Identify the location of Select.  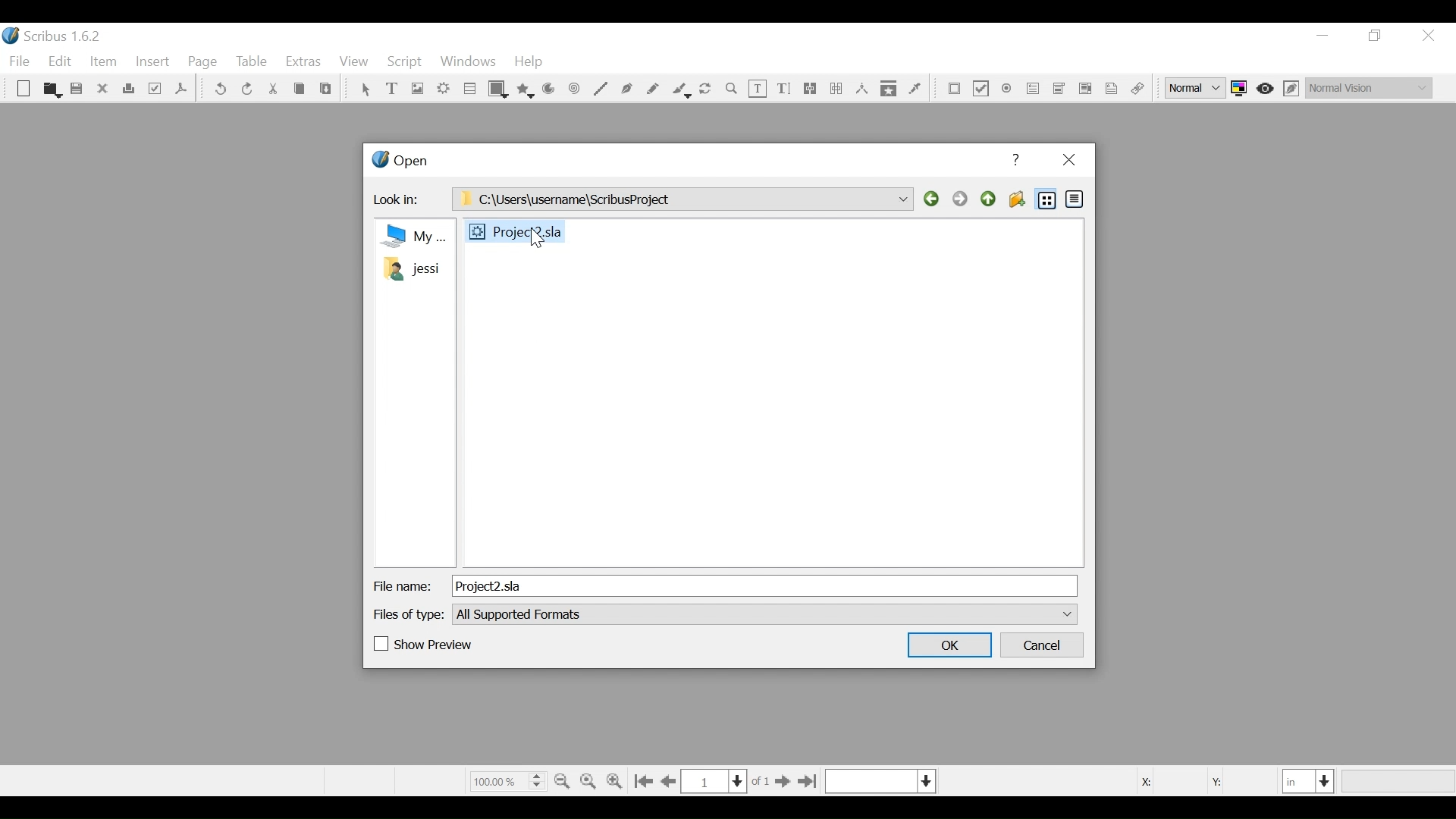
(365, 90).